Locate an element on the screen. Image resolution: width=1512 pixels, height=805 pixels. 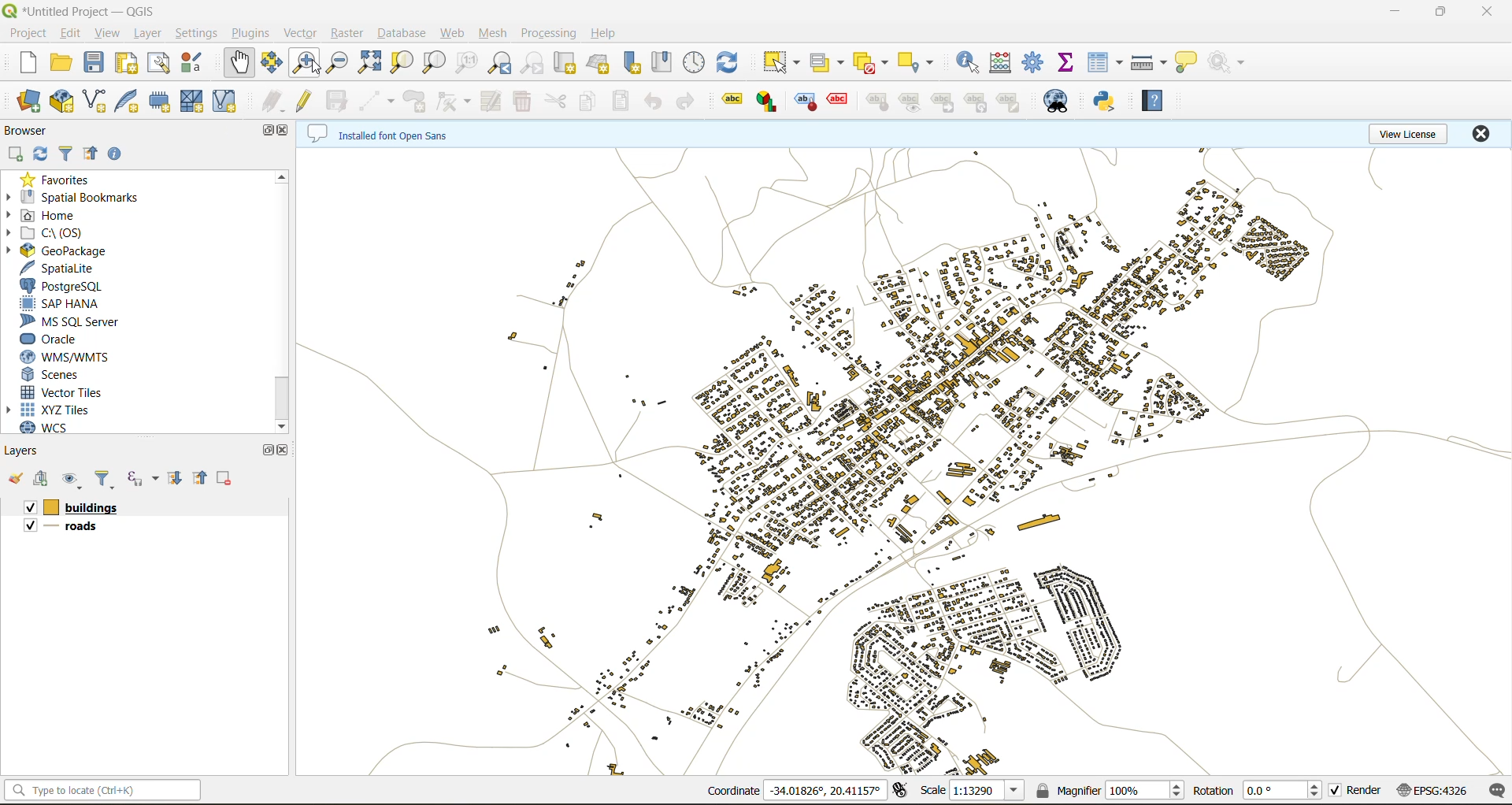
open data source manager is located at coordinates (29, 102).